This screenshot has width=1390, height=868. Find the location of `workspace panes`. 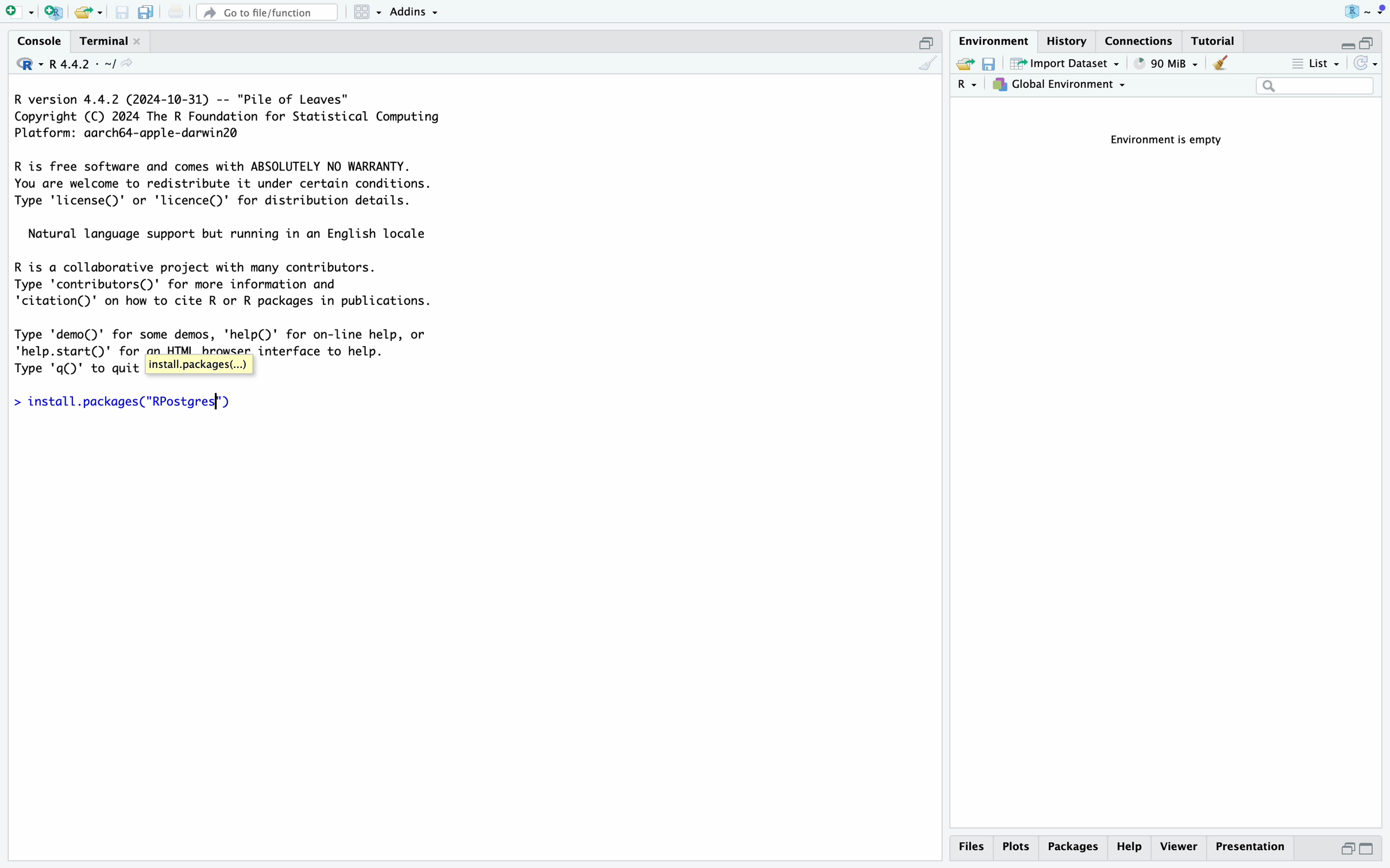

workspace panes is located at coordinates (368, 12).